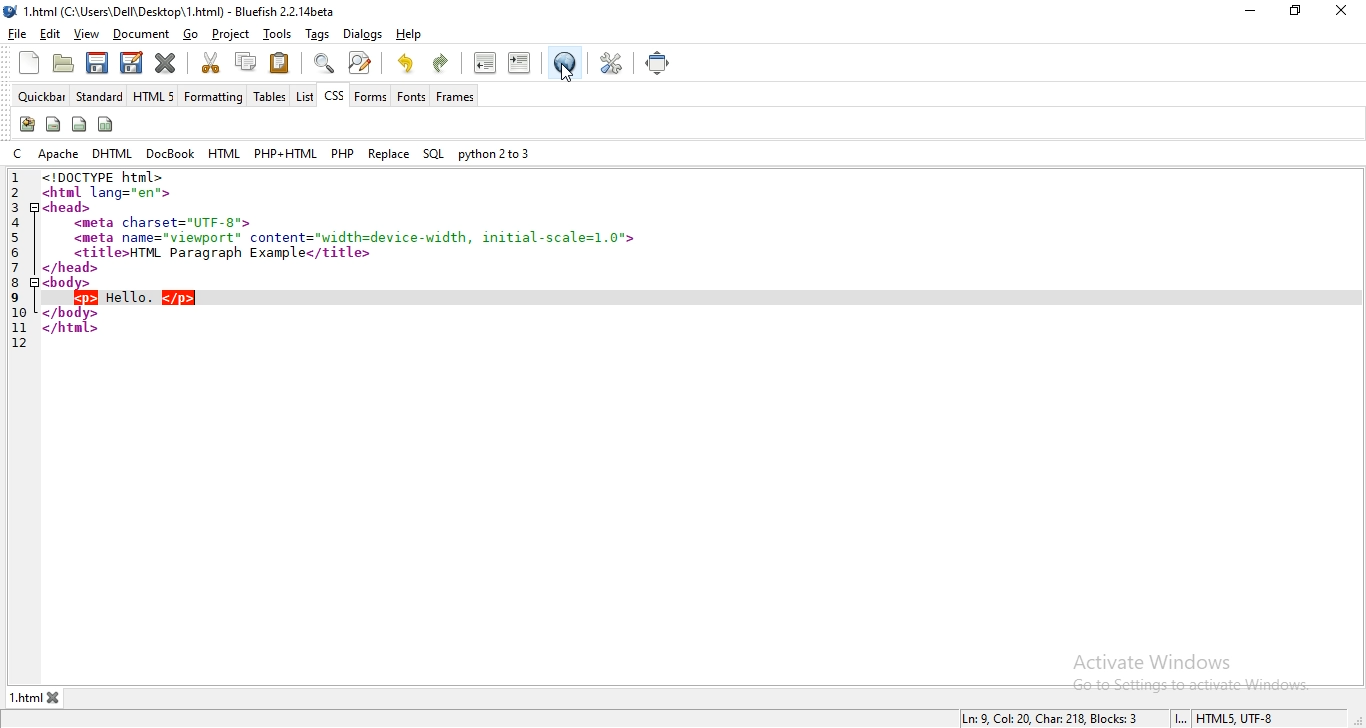  I want to click on view, so click(85, 34).